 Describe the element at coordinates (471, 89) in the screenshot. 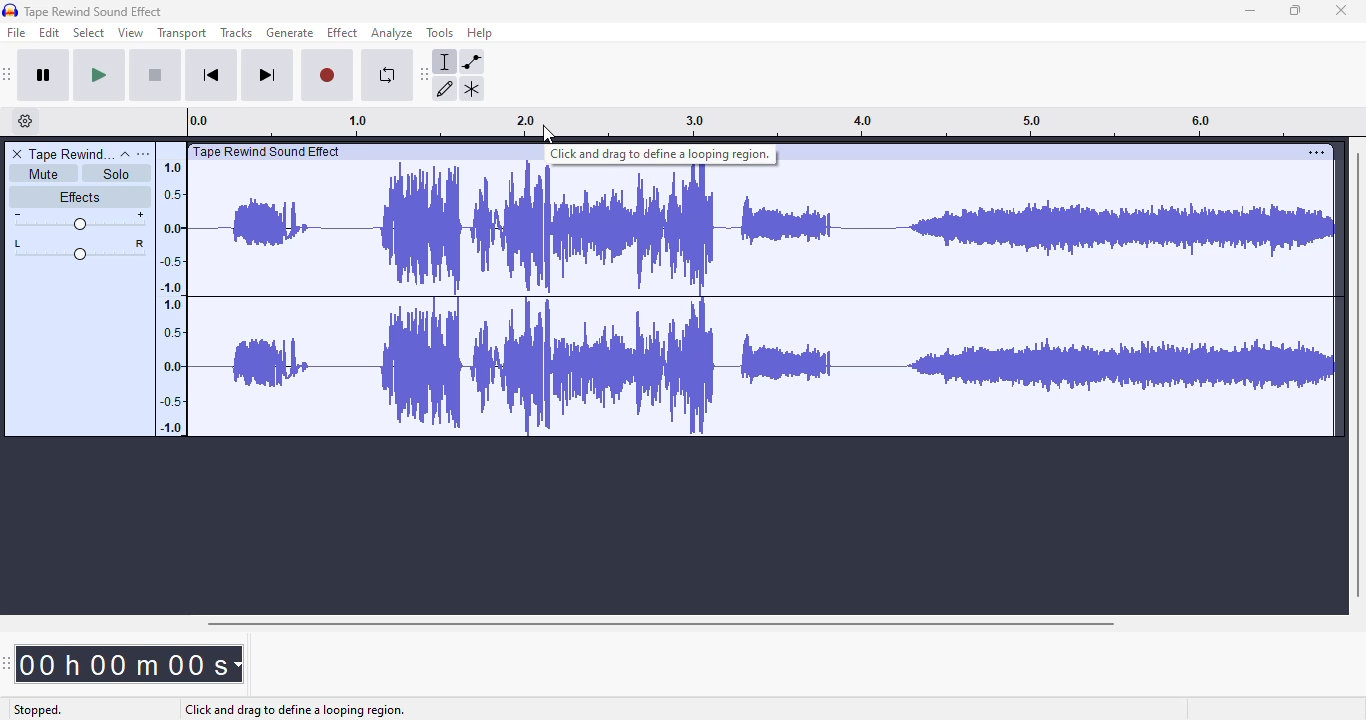

I see `multi-tool` at that location.